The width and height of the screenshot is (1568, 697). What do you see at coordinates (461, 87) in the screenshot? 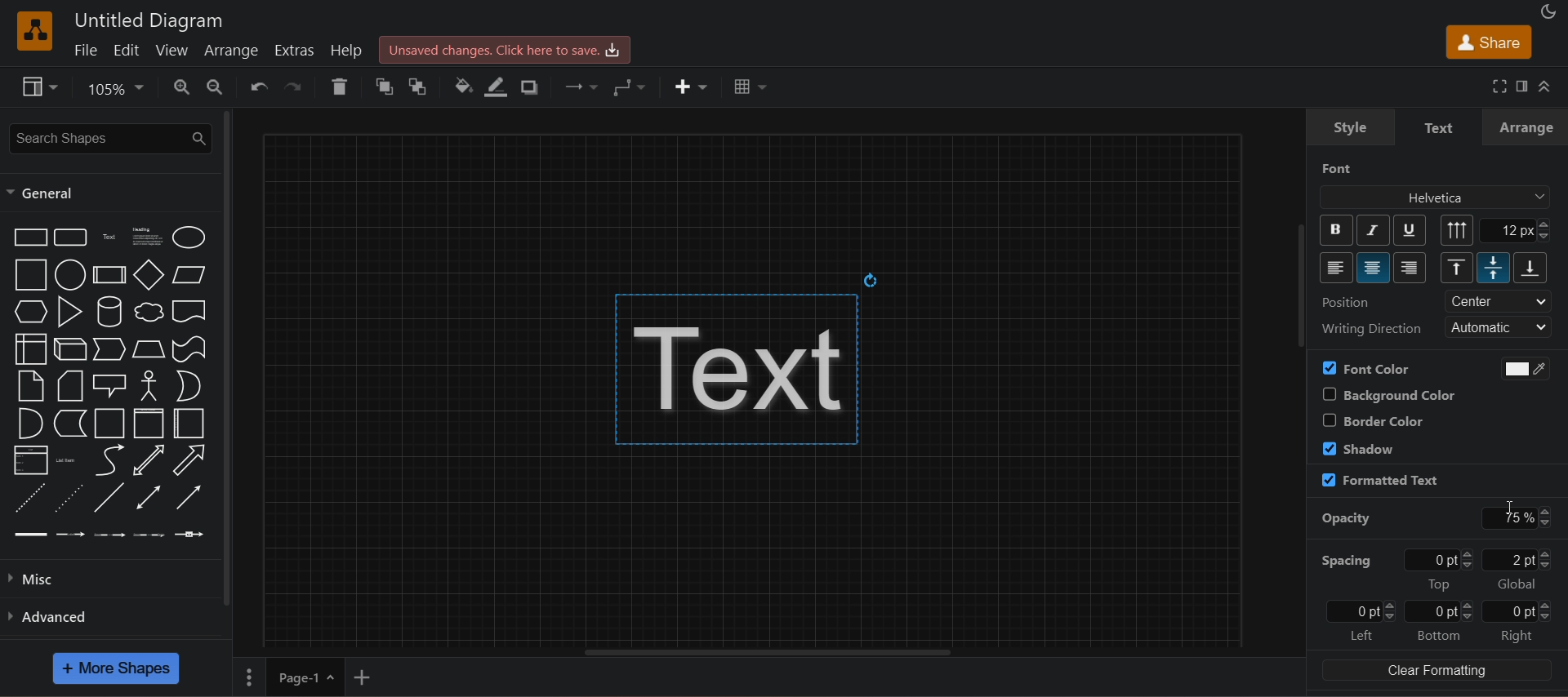
I see `fill color` at bounding box center [461, 87].